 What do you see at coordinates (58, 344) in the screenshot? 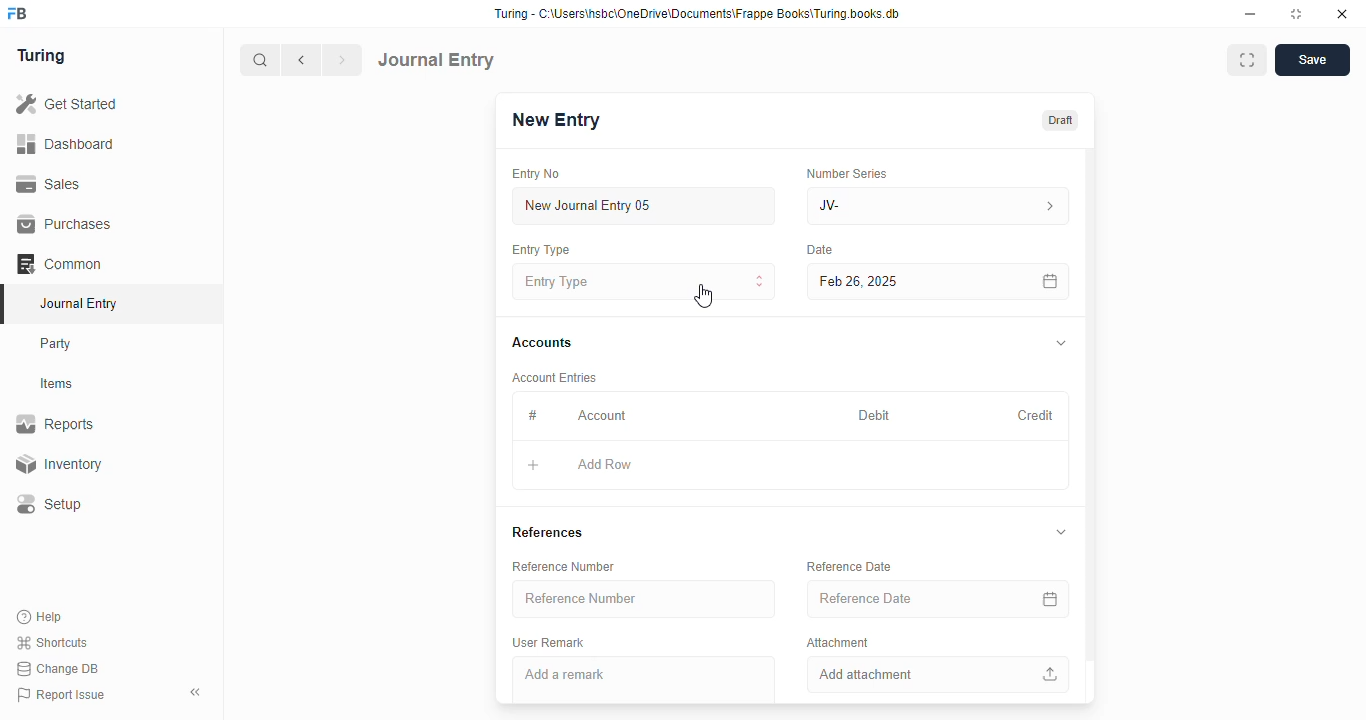
I see `party` at bounding box center [58, 344].